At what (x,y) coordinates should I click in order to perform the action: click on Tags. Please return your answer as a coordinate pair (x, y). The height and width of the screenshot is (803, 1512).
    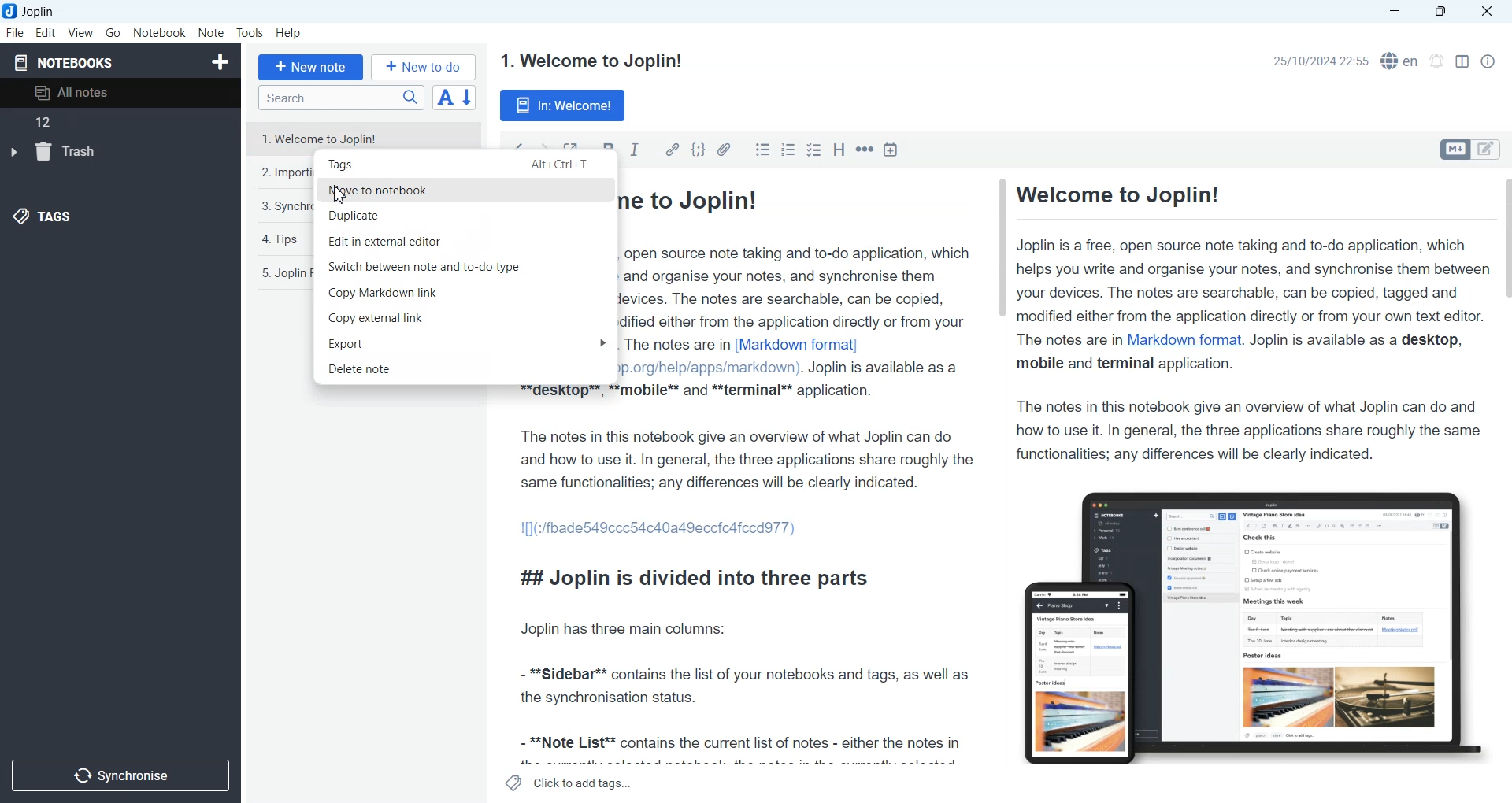
    Looking at the image, I should click on (43, 218).